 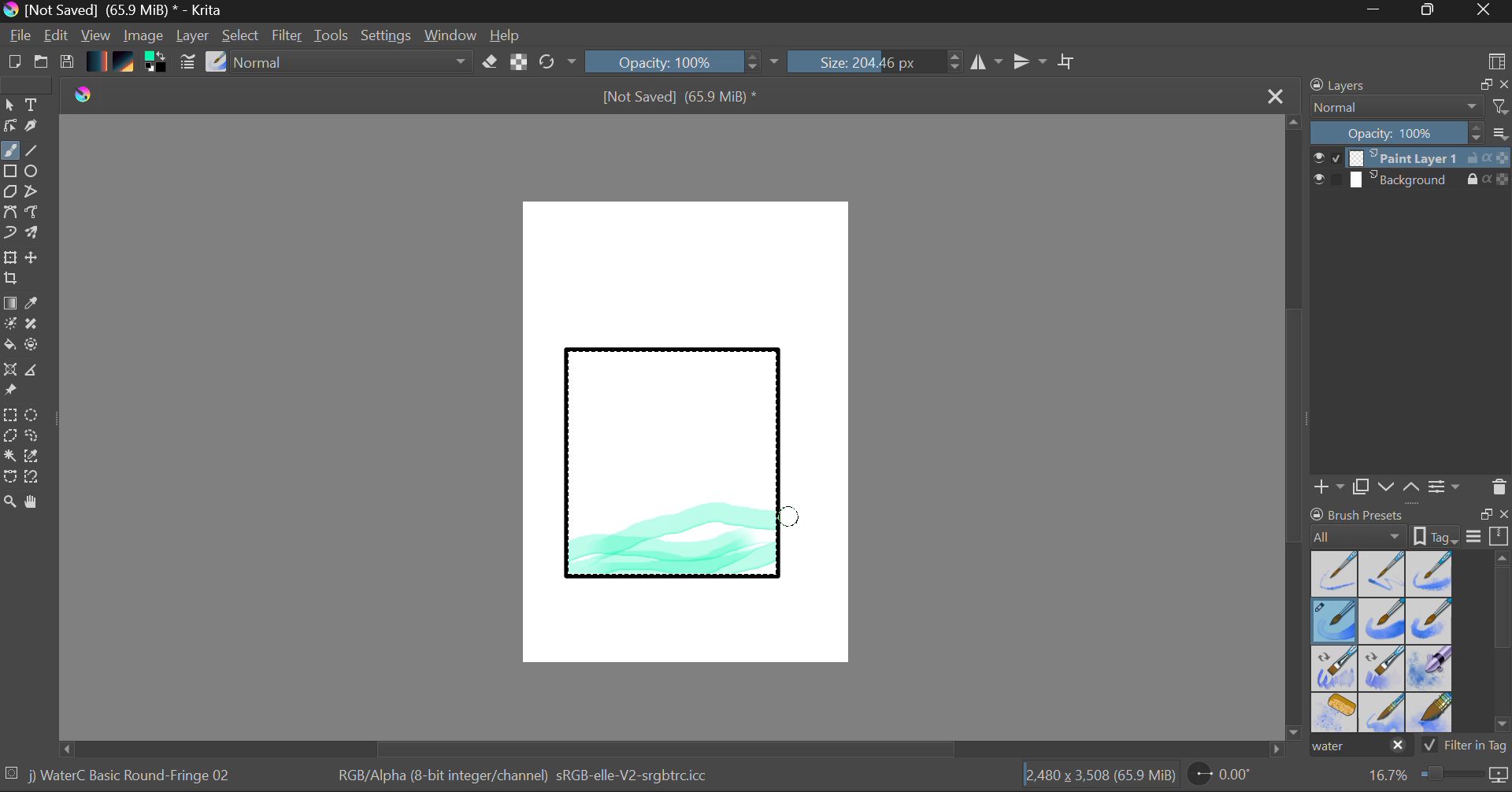 What do you see at coordinates (10, 302) in the screenshot?
I see `Fill Gradient` at bounding box center [10, 302].